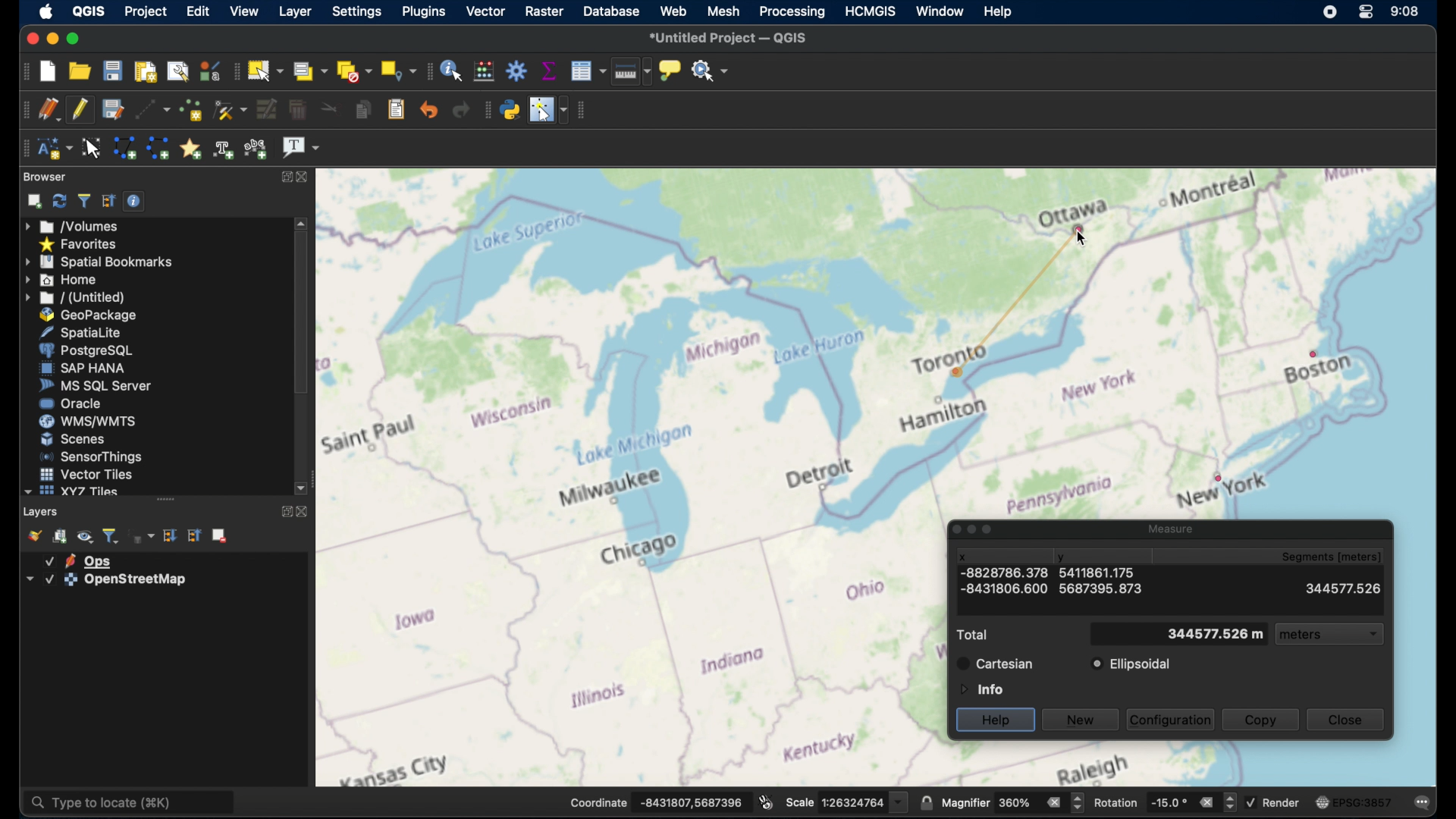  Describe the element at coordinates (995, 720) in the screenshot. I see `help` at that location.